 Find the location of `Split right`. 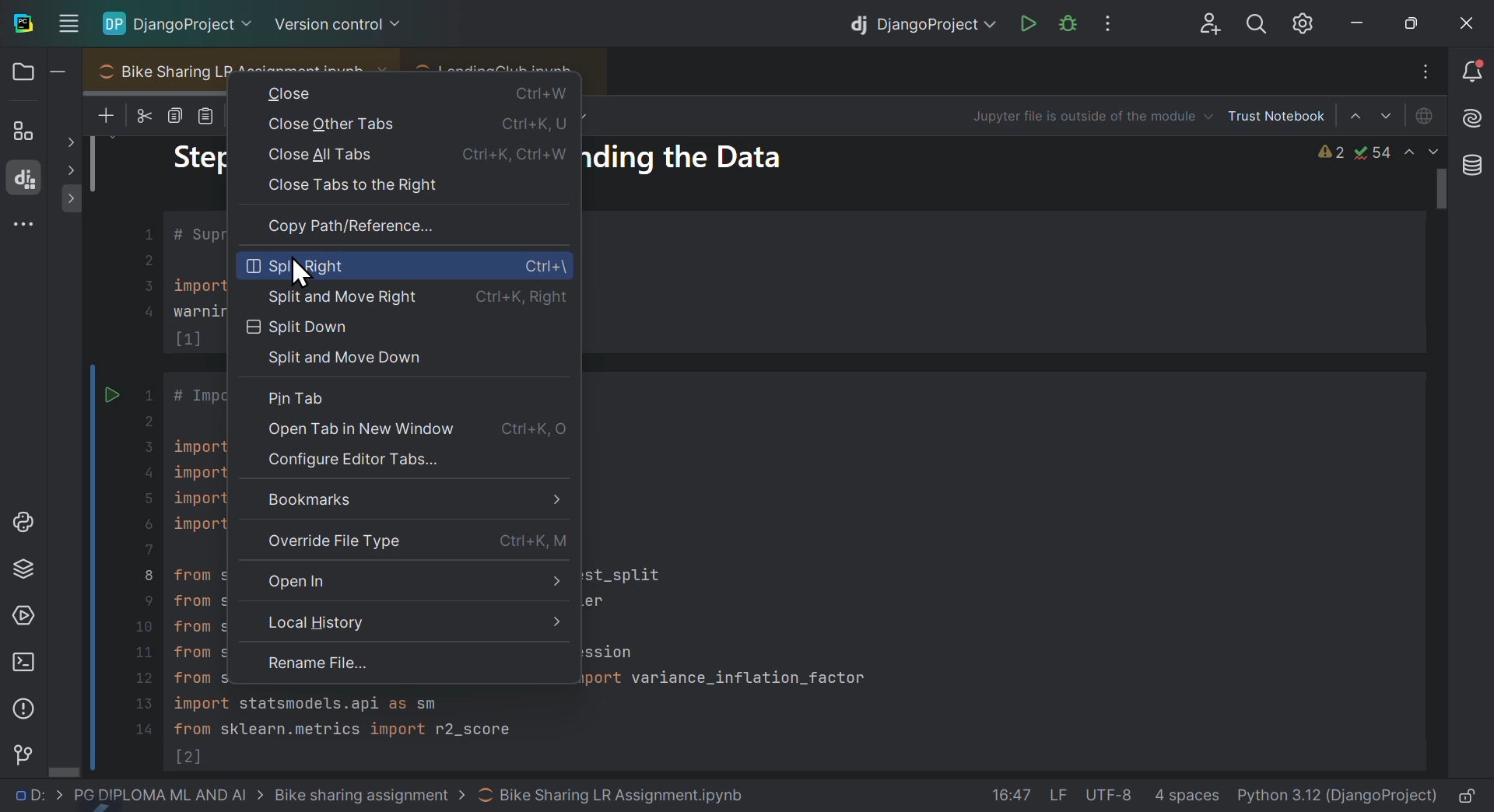

Split right is located at coordinates (409, 265).